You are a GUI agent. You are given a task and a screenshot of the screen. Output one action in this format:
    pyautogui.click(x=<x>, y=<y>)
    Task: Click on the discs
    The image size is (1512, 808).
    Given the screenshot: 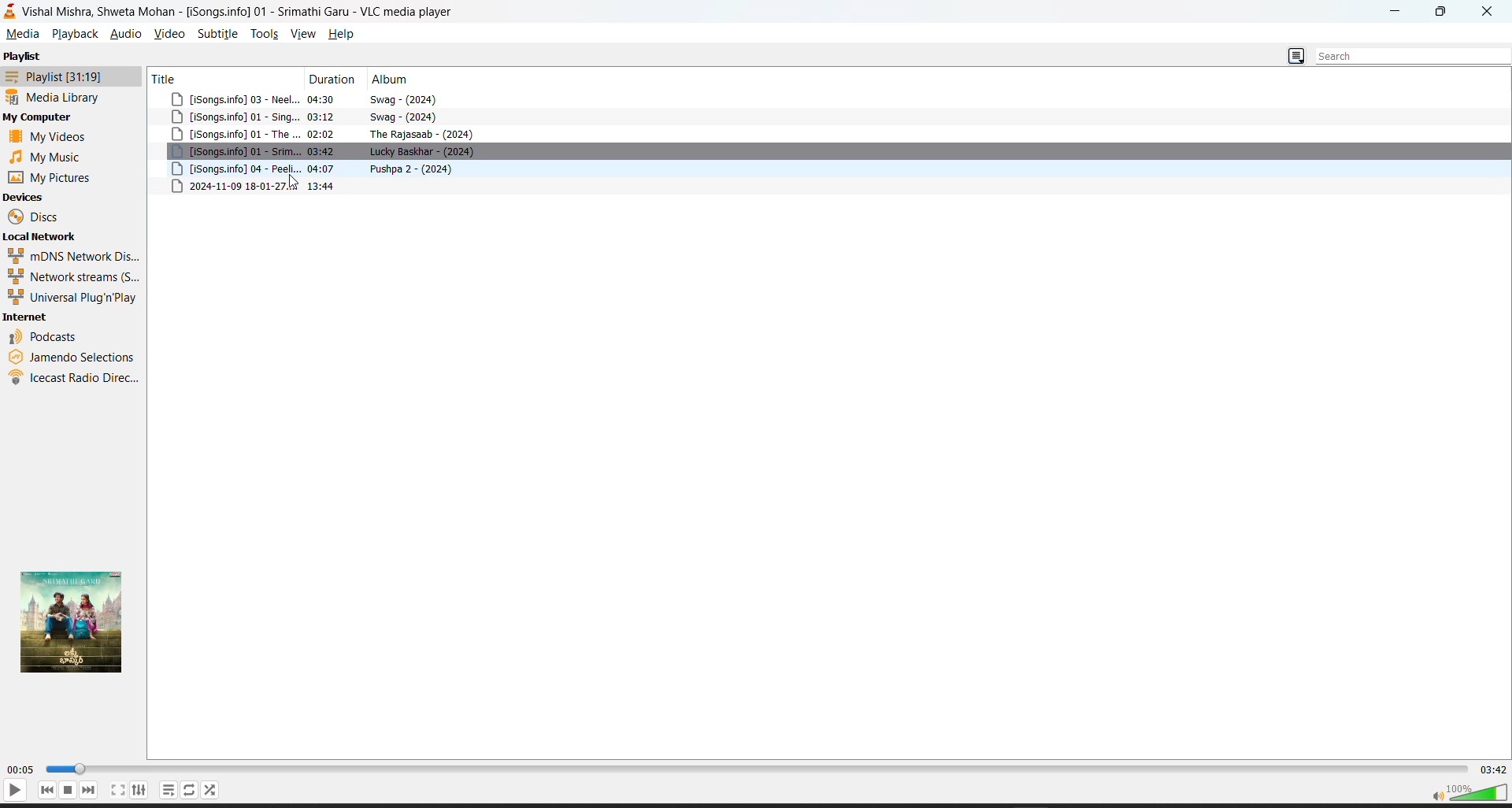 What is the action you would take?
    pyautogui.click(x=37, y=217)
    